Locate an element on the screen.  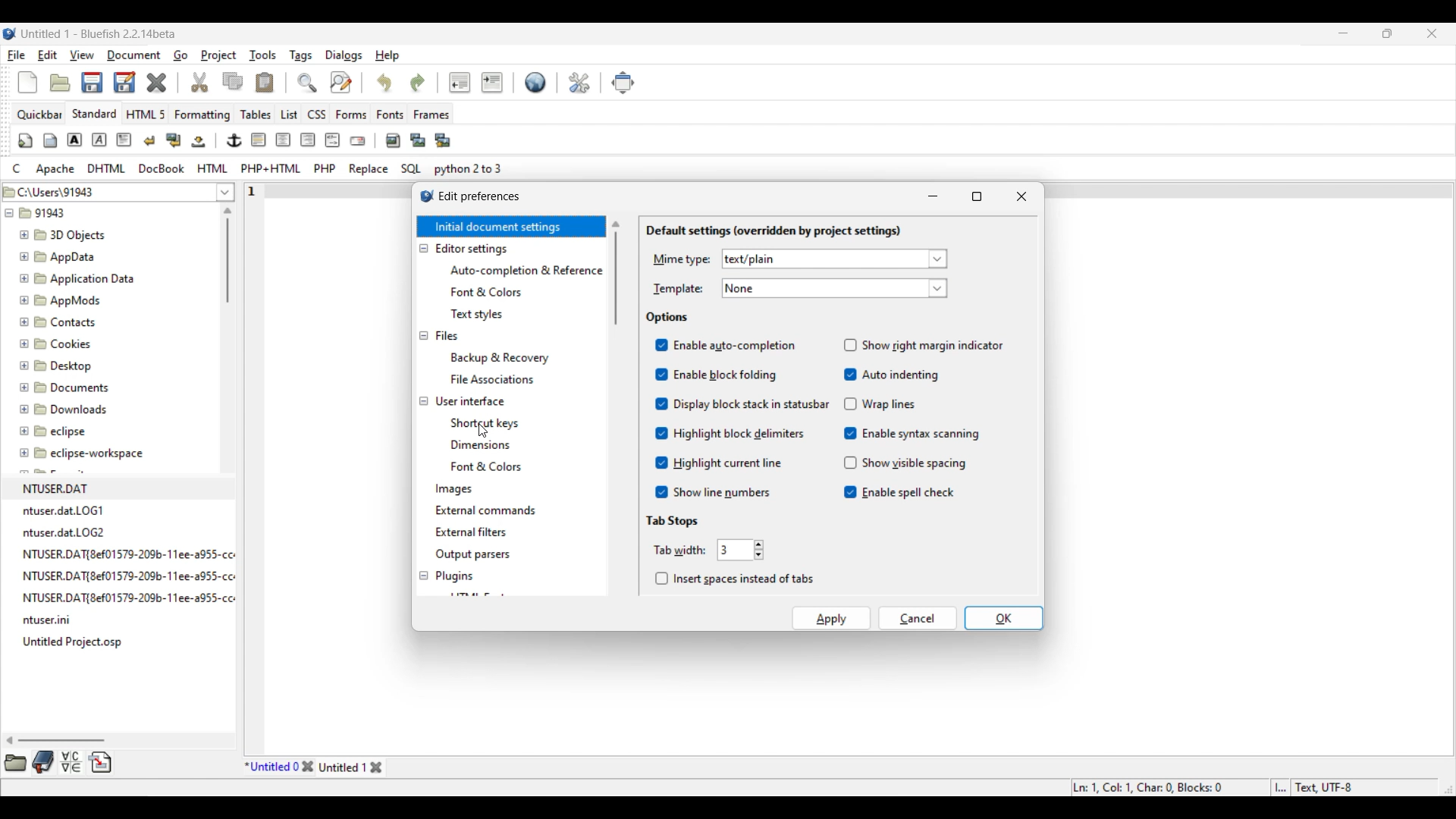
AppData is located at coordinates (61, 256).